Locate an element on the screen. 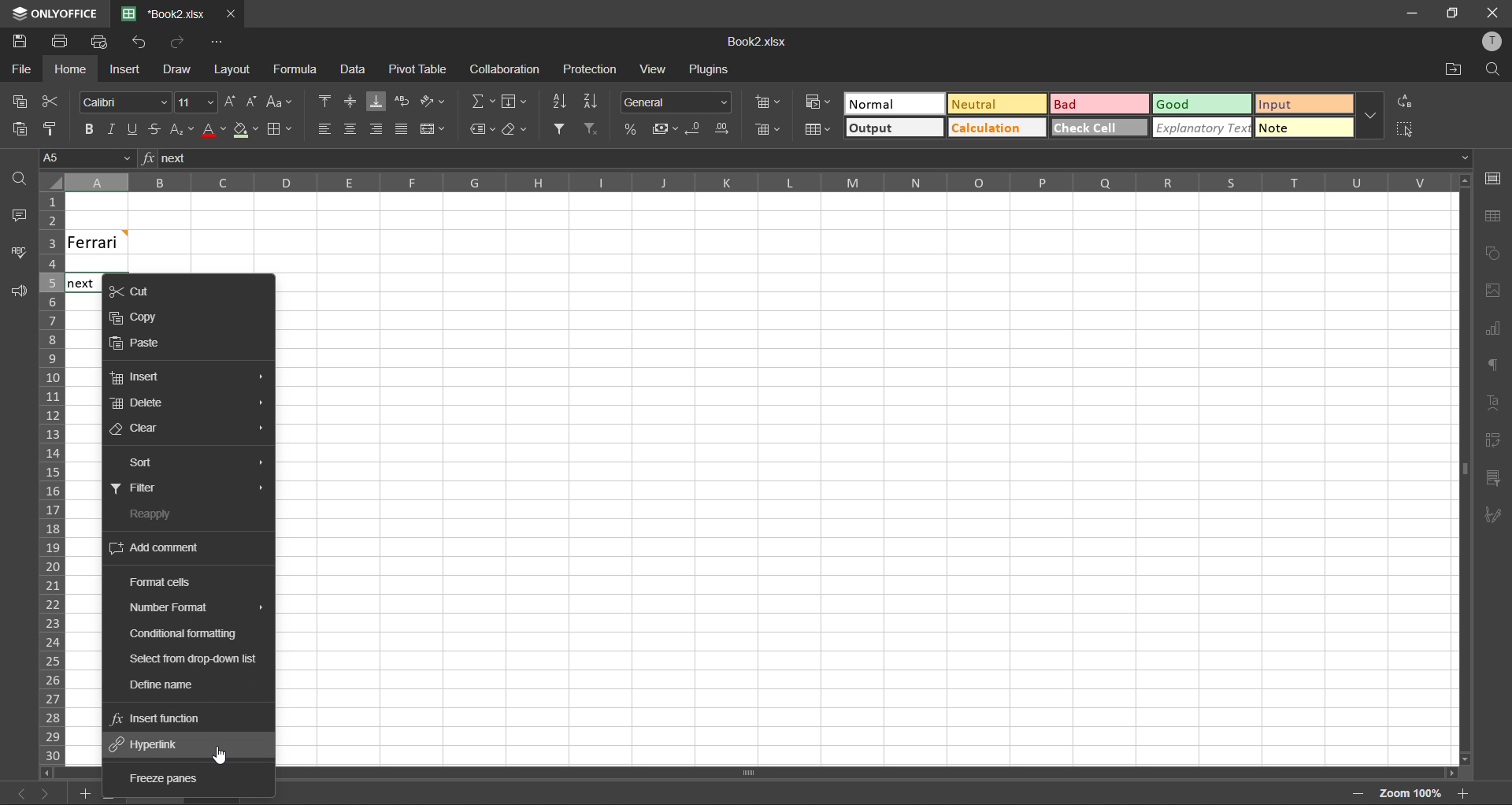  number format is located at coordinates (192, 608).